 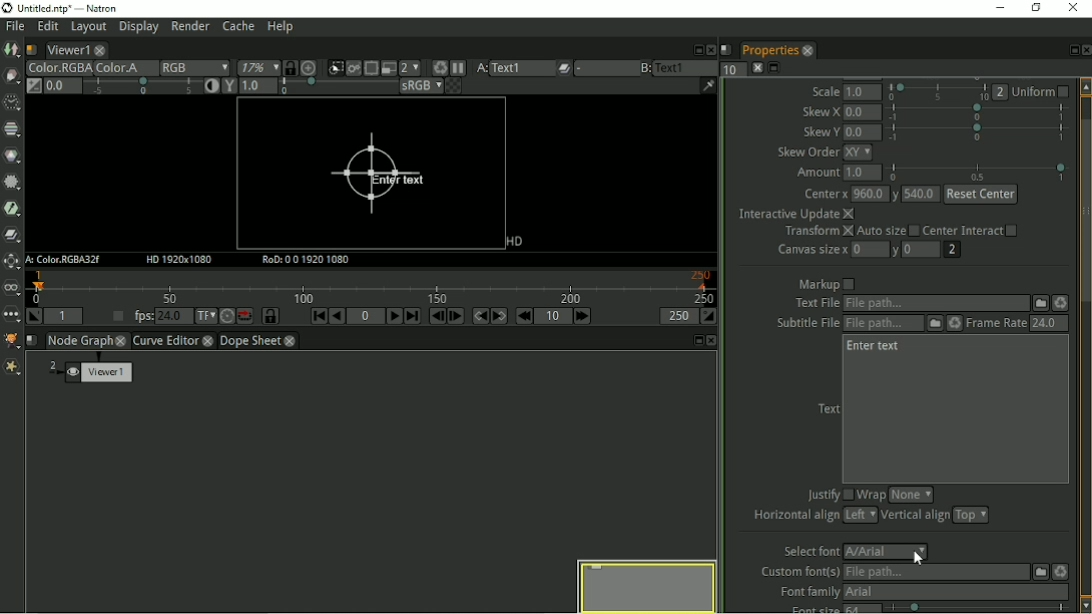 I want to click on Behaviour, so click(x=245, y=316).